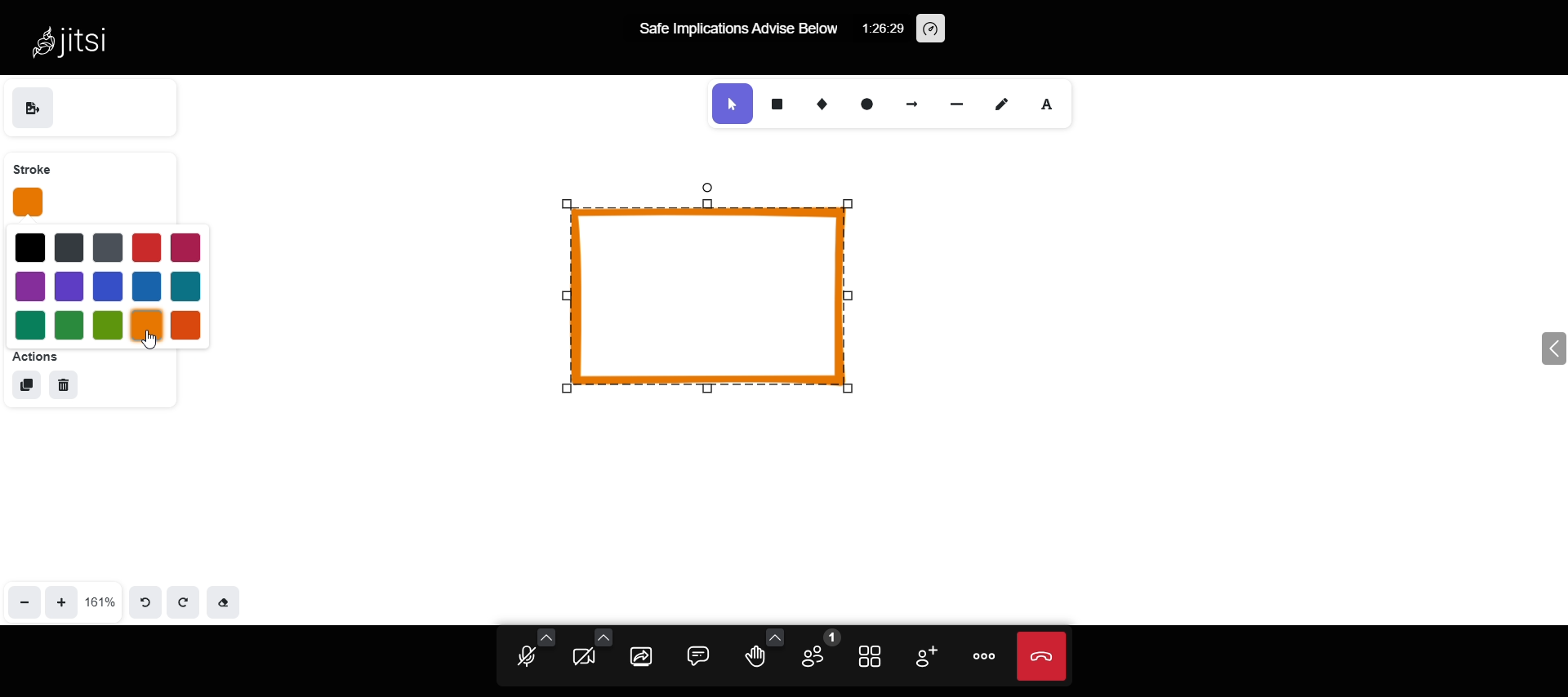 The height and width of the screenshot is (697, 1568). What do you see at coordinates (603, 627) in the screenshot?
I see `video setting` at bounding box center [603, 627].